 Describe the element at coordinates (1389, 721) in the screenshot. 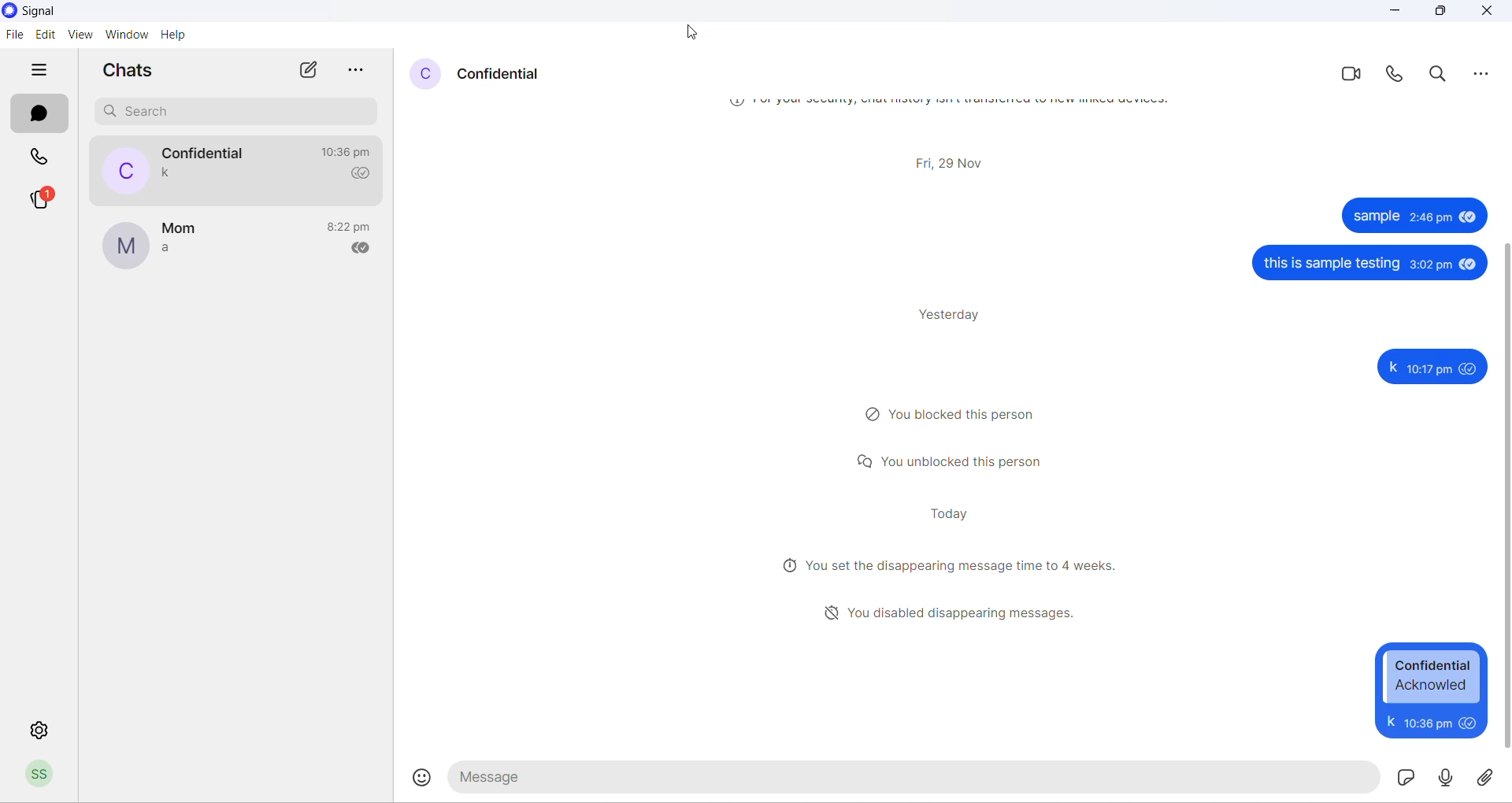

I see `k` at that location.